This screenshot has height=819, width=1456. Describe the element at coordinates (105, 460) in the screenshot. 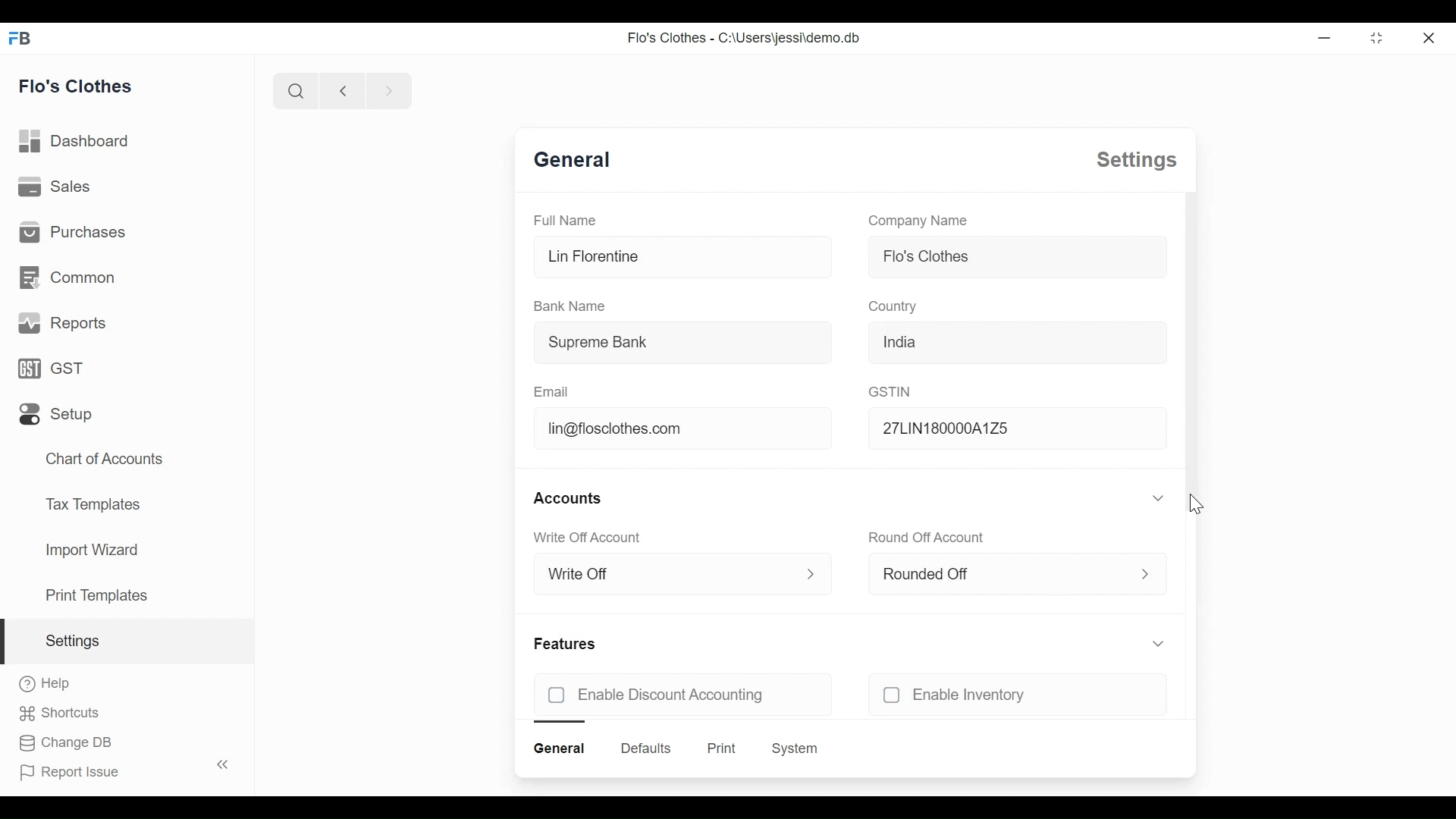

I see `Chart of Accounts` at that location.